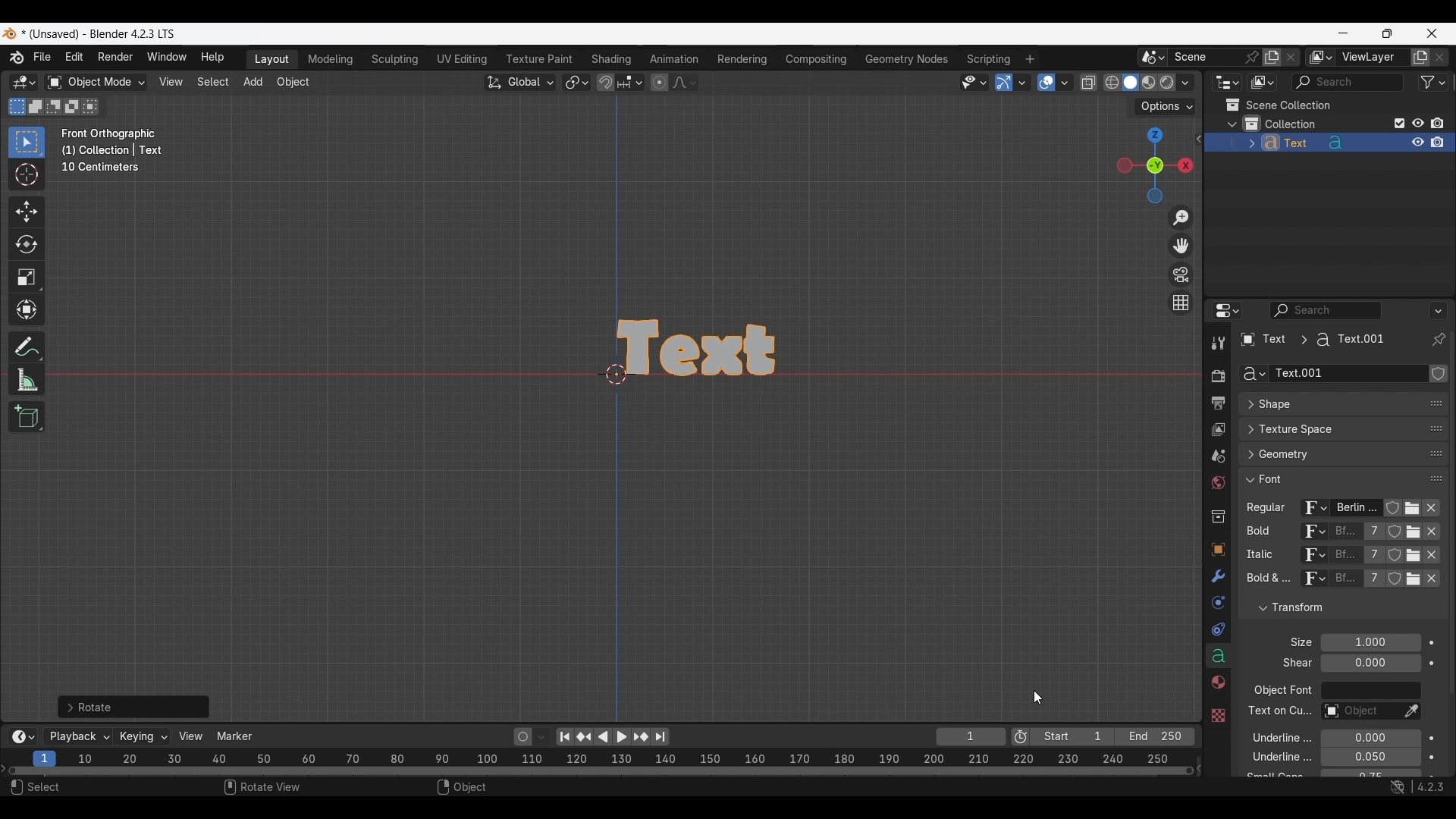 This screenshot has width=1456, height=819. Describe the element at coordinates (54, 107) in the screenshot. I see `Subtract existing selection` at that location.